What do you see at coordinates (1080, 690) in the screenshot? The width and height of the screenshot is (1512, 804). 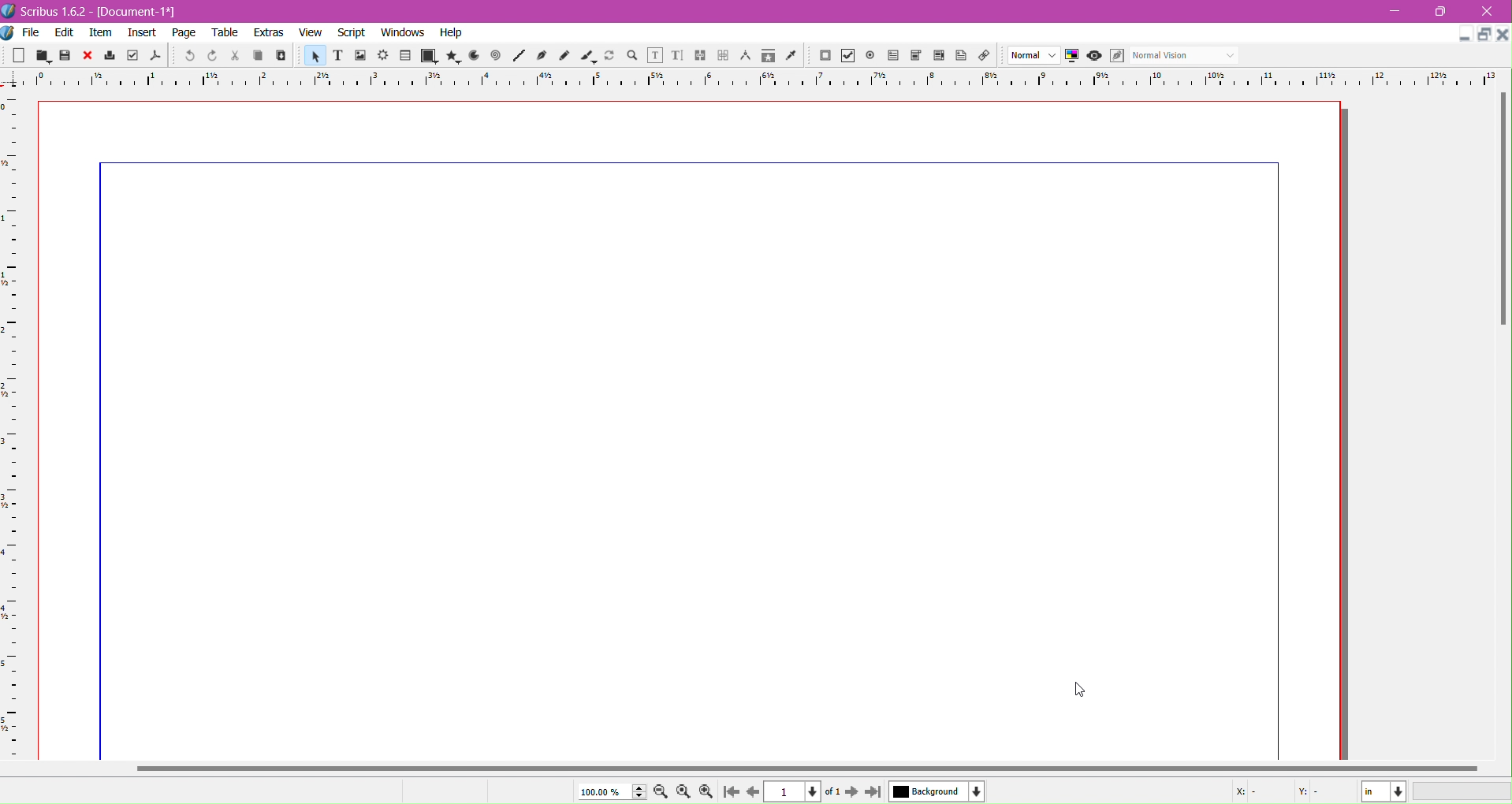 I see `Cursor` at bounding box center [1080, 690].